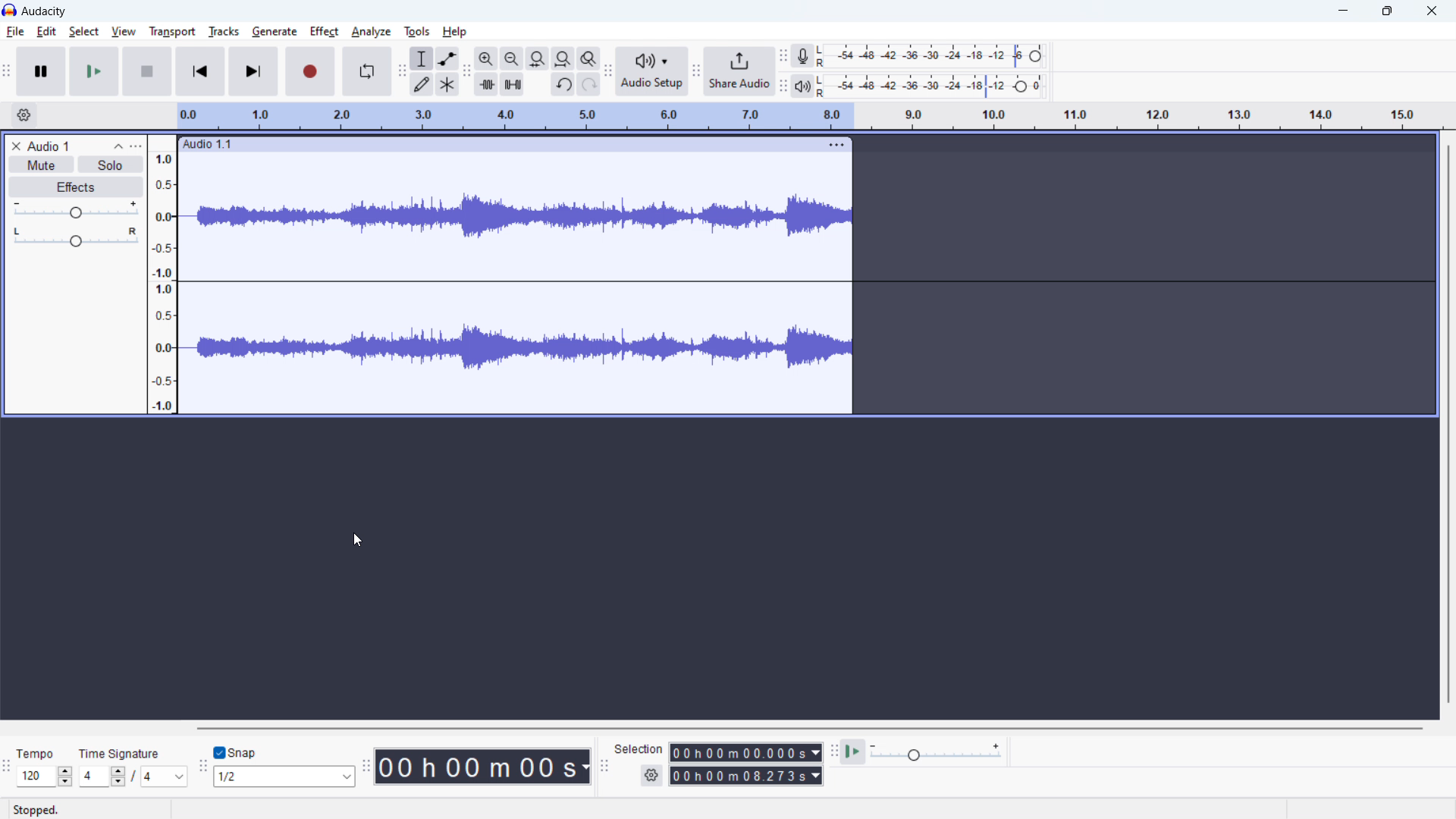 This screenshot has width=1456, height=819. What do you see at coordinates (783, 56) in the screenshot?
I see `recording meter toolbar` at bounding box center [783, 56].